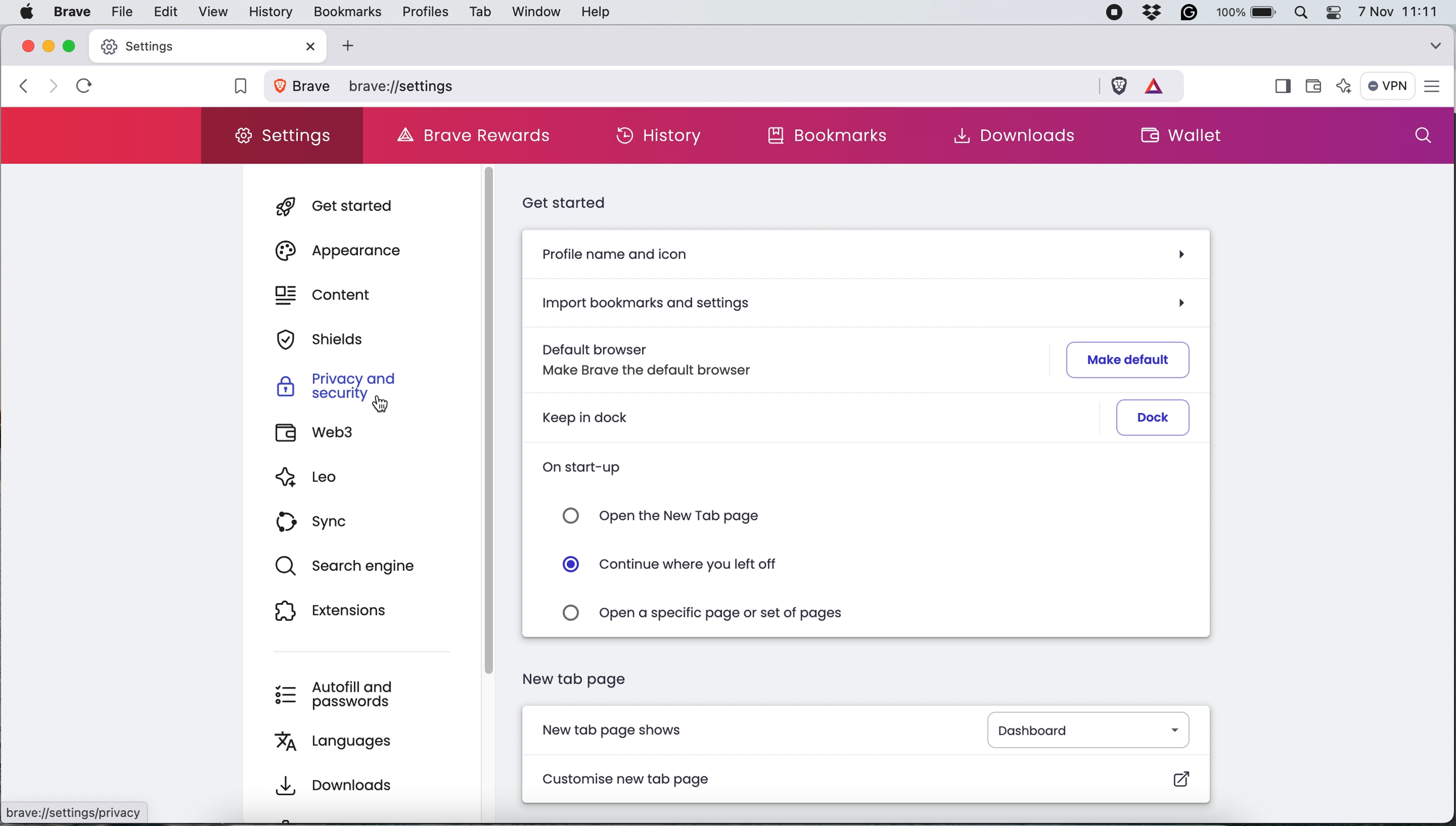 This screenshot has width=1456, height=826. I want to click on scroll bar, so click(489, 422).